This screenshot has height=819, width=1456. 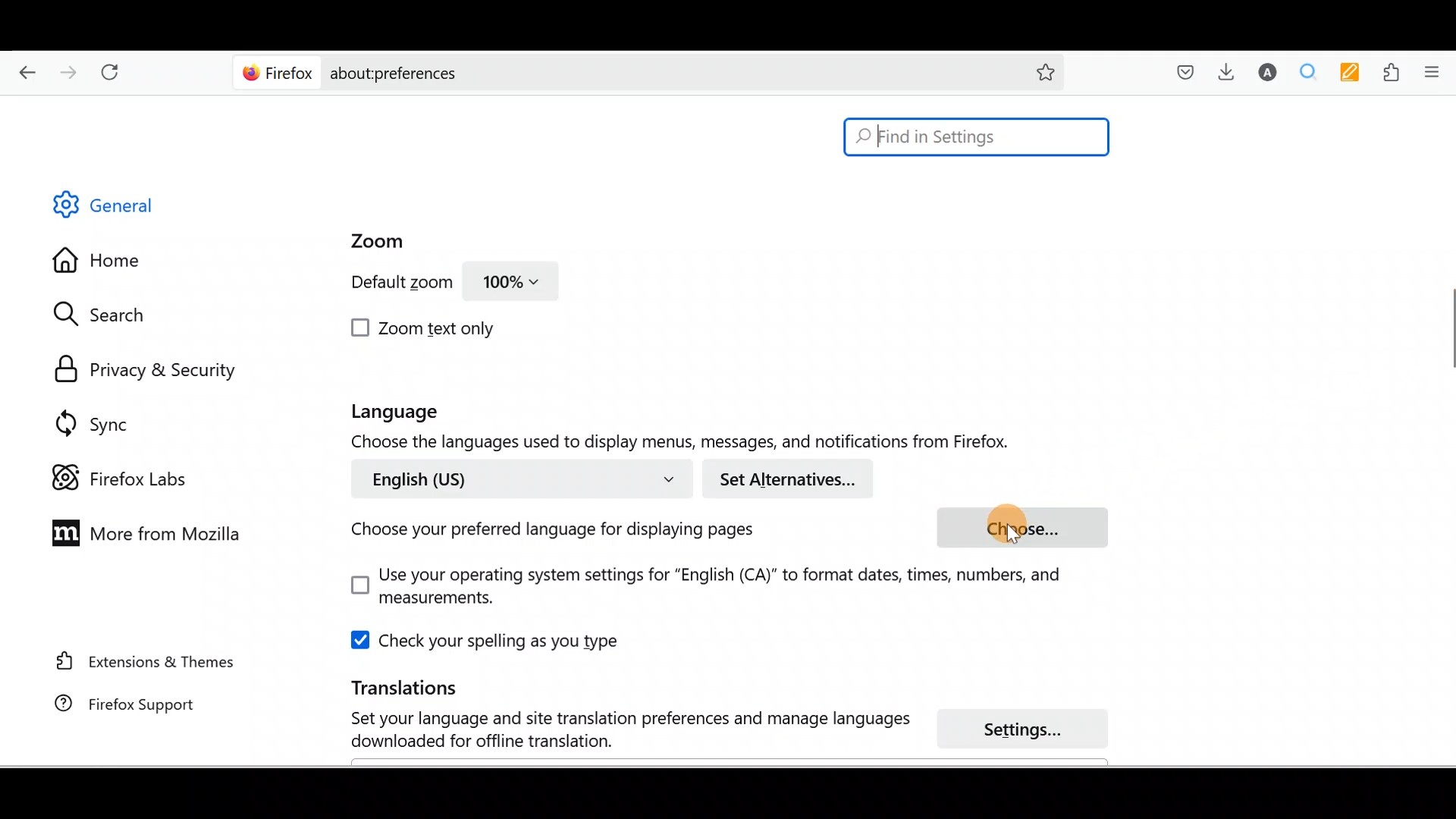 I want to click on Scroll bar, so click(x=1445, y=431).